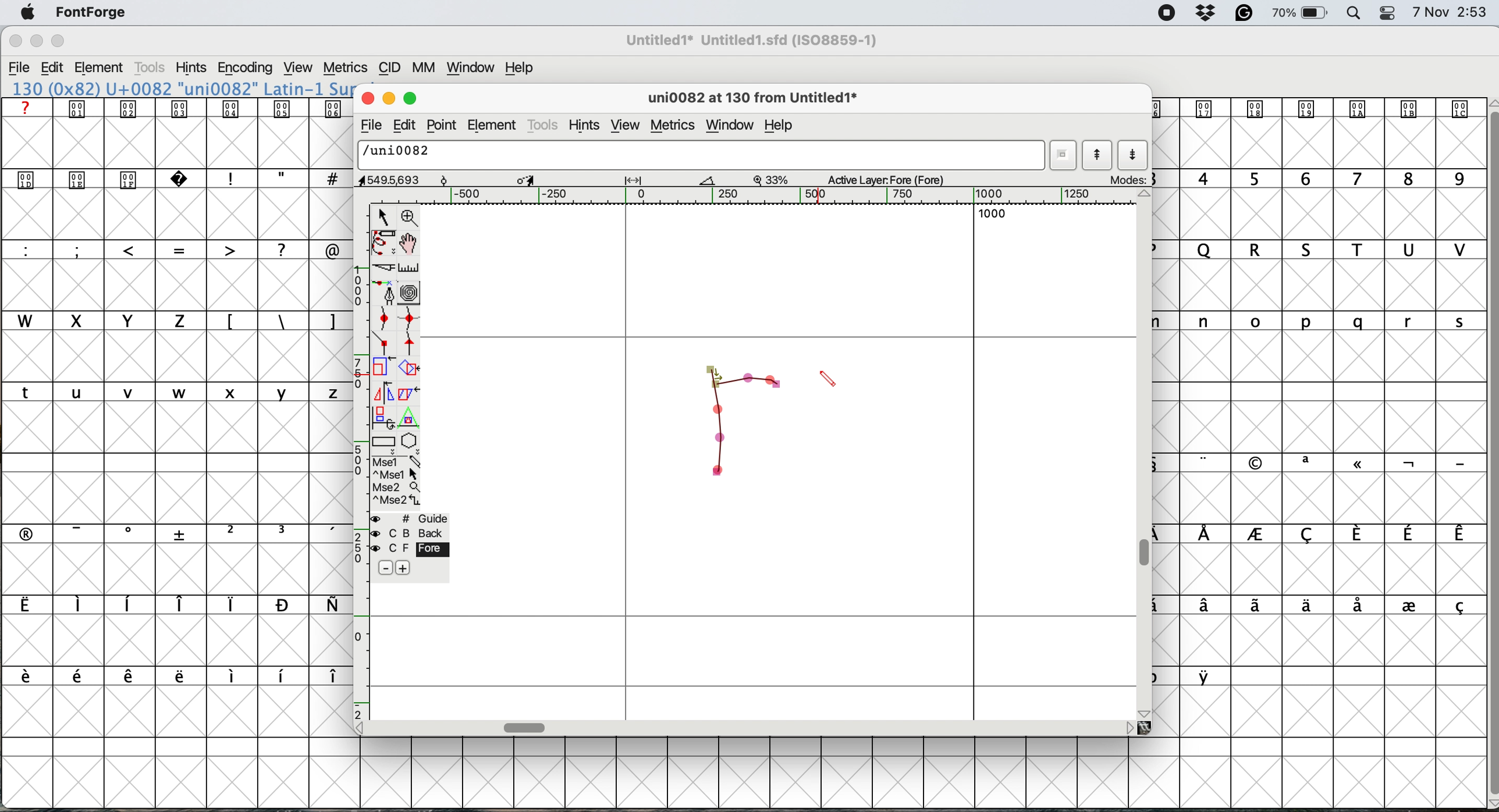 The height and width of the screenshot is (812, 1499). Describe the element at coordinates (347, 66) in the screenshot. I see `metrics` at that location.